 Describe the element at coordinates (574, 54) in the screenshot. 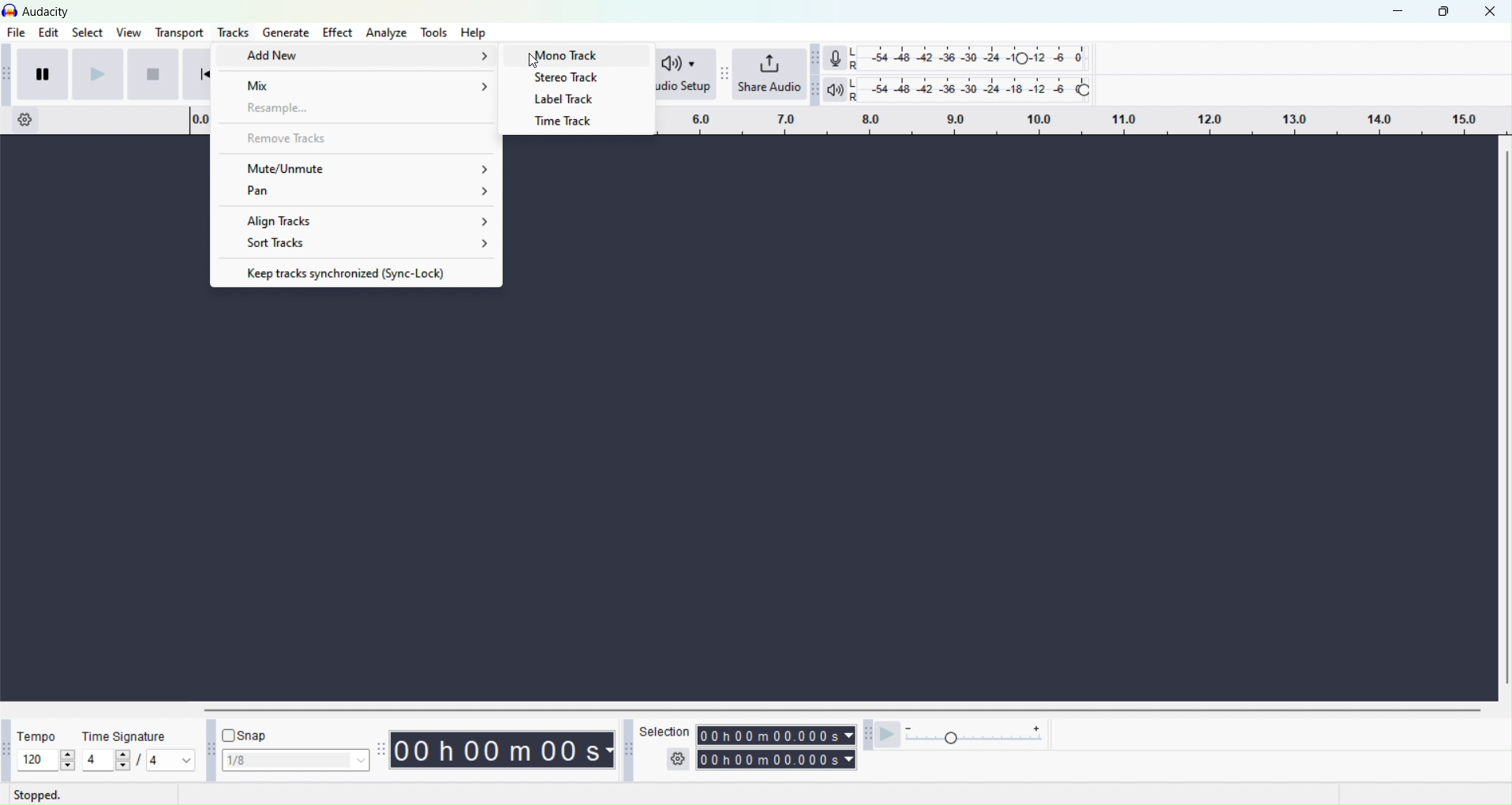

I see `Mono track` at that location.